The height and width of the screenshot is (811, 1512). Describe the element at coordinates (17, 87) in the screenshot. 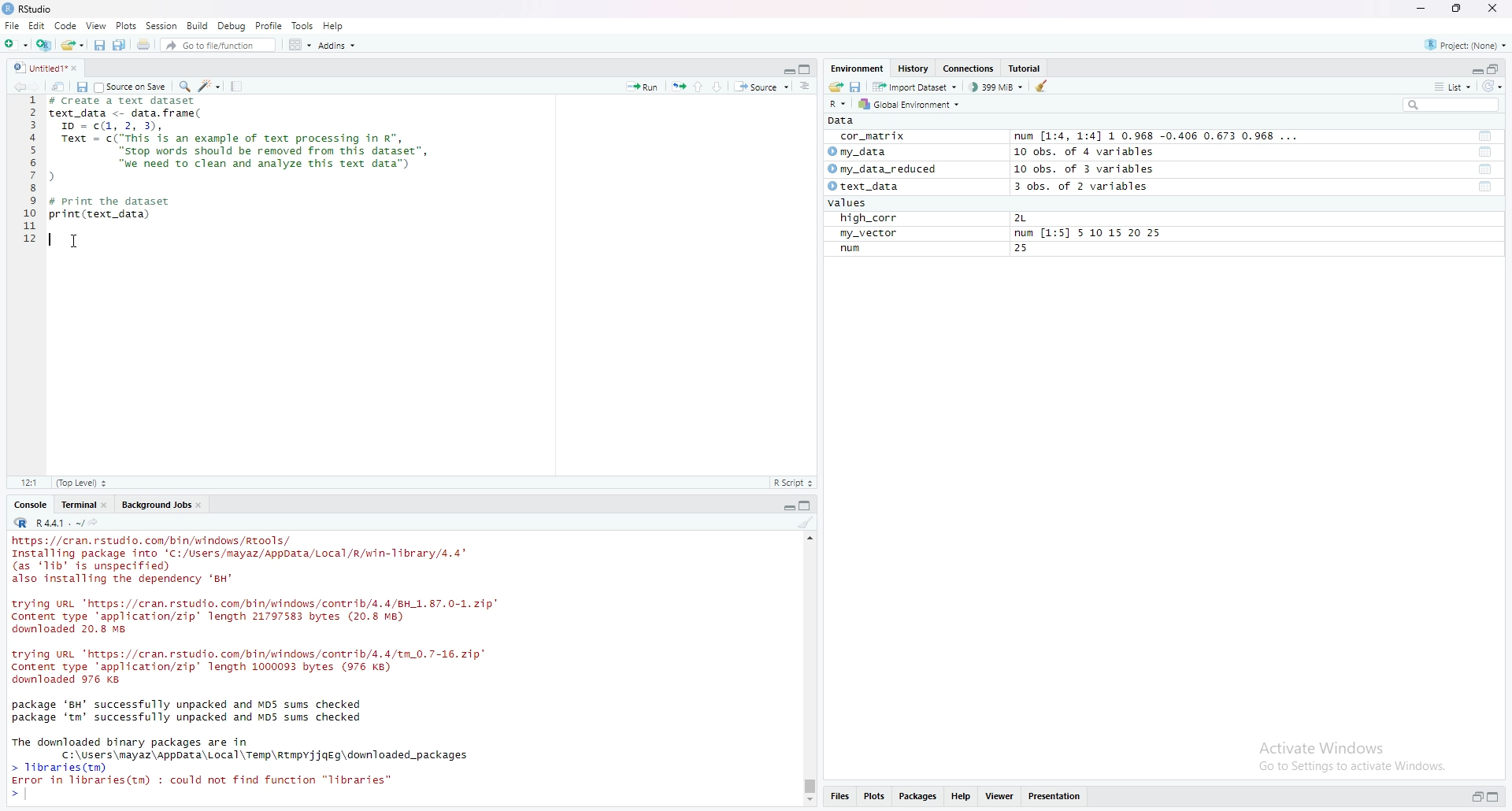

I see `go backward` at that location.